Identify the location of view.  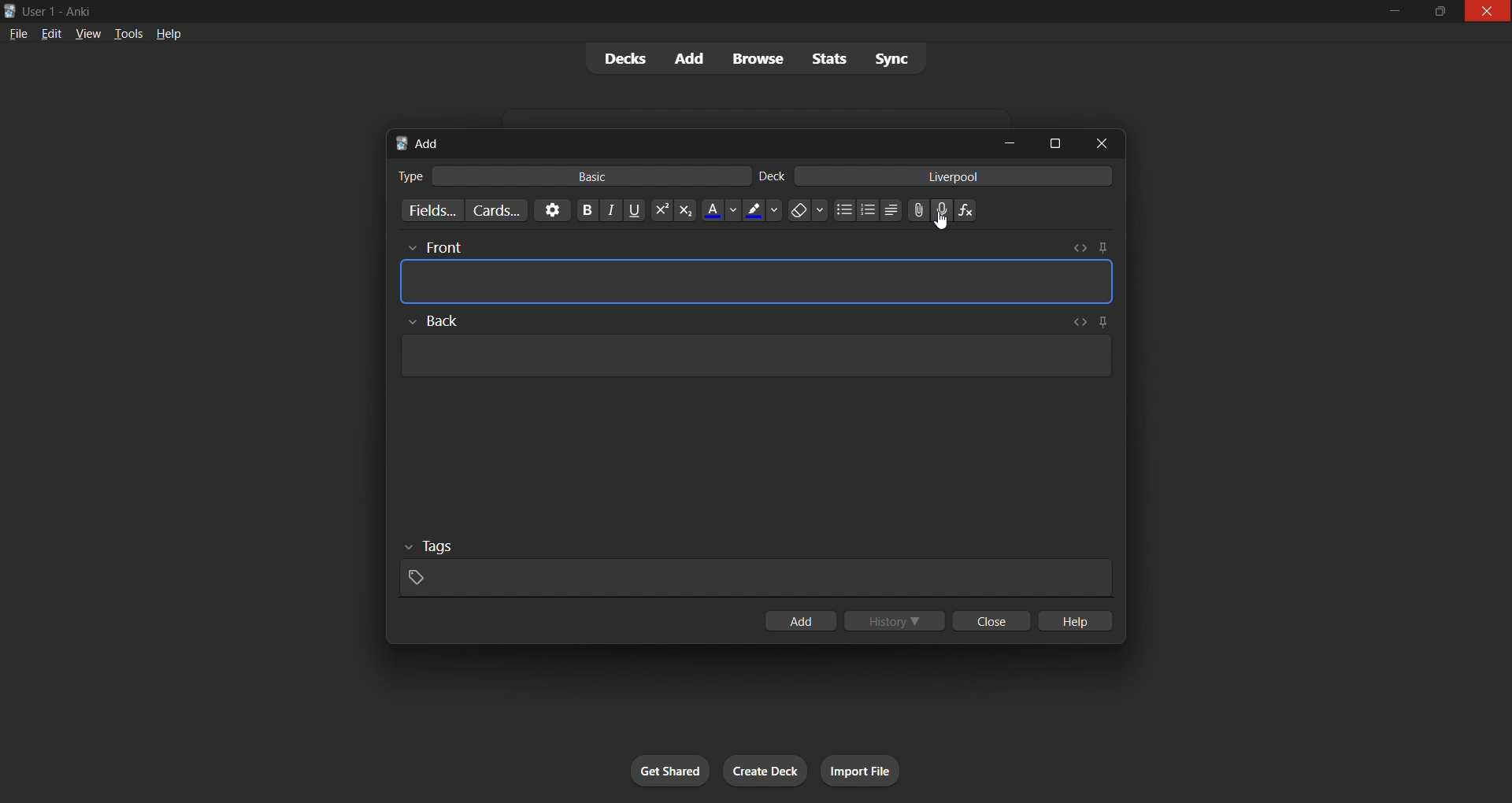
(89, 35).